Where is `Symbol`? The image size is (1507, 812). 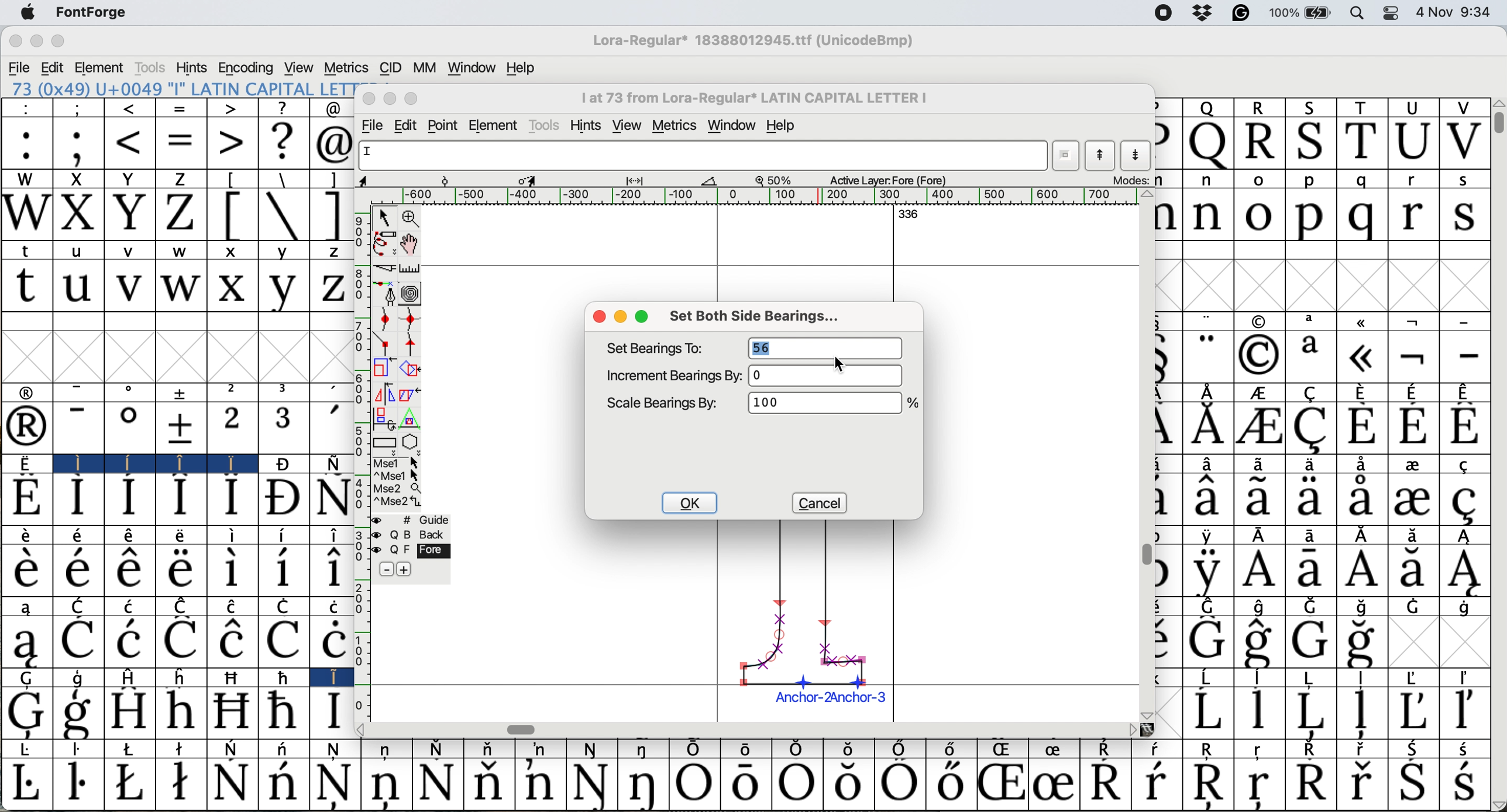 Symbol is located at coordinates (643, 751).